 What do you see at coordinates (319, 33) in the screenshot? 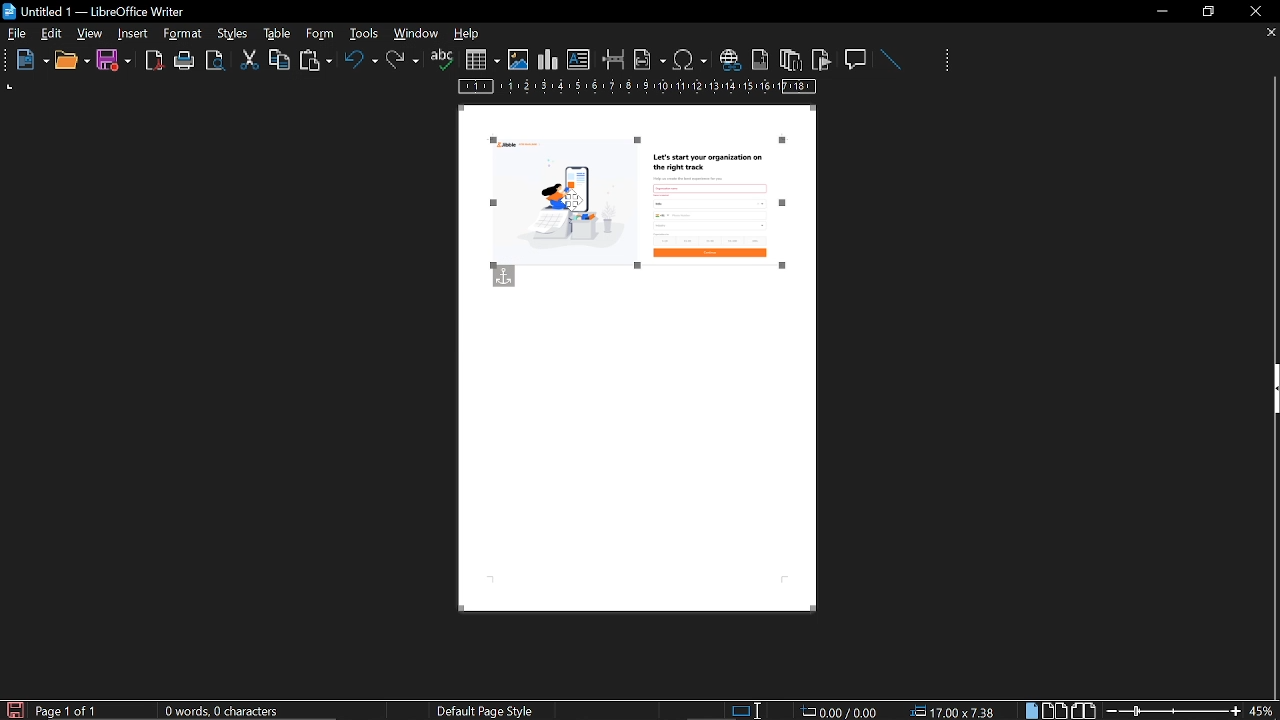
I see `table` at bounding box center [319, 33].